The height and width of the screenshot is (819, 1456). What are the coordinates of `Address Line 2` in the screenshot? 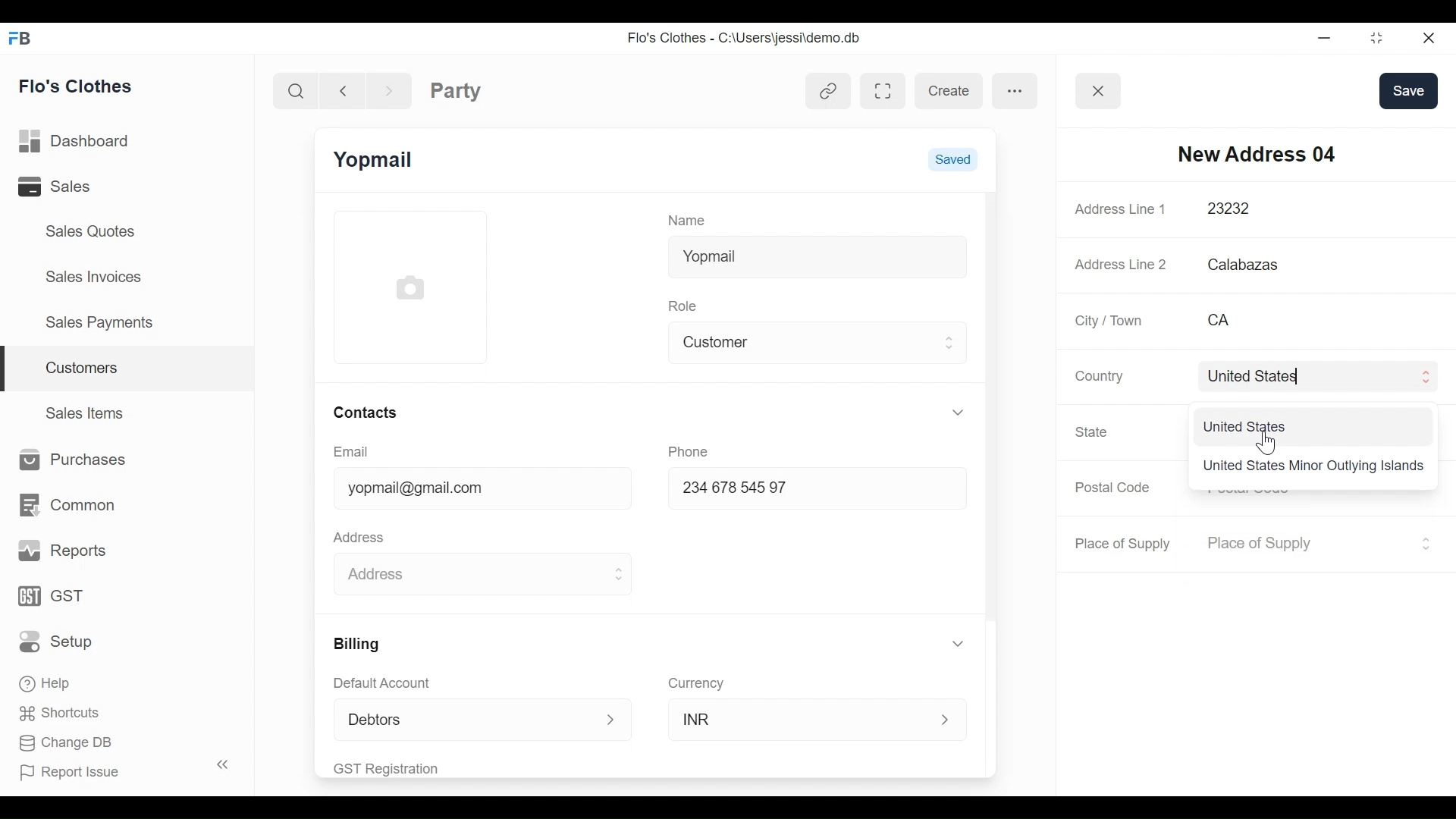 It's located at (1122, 260).